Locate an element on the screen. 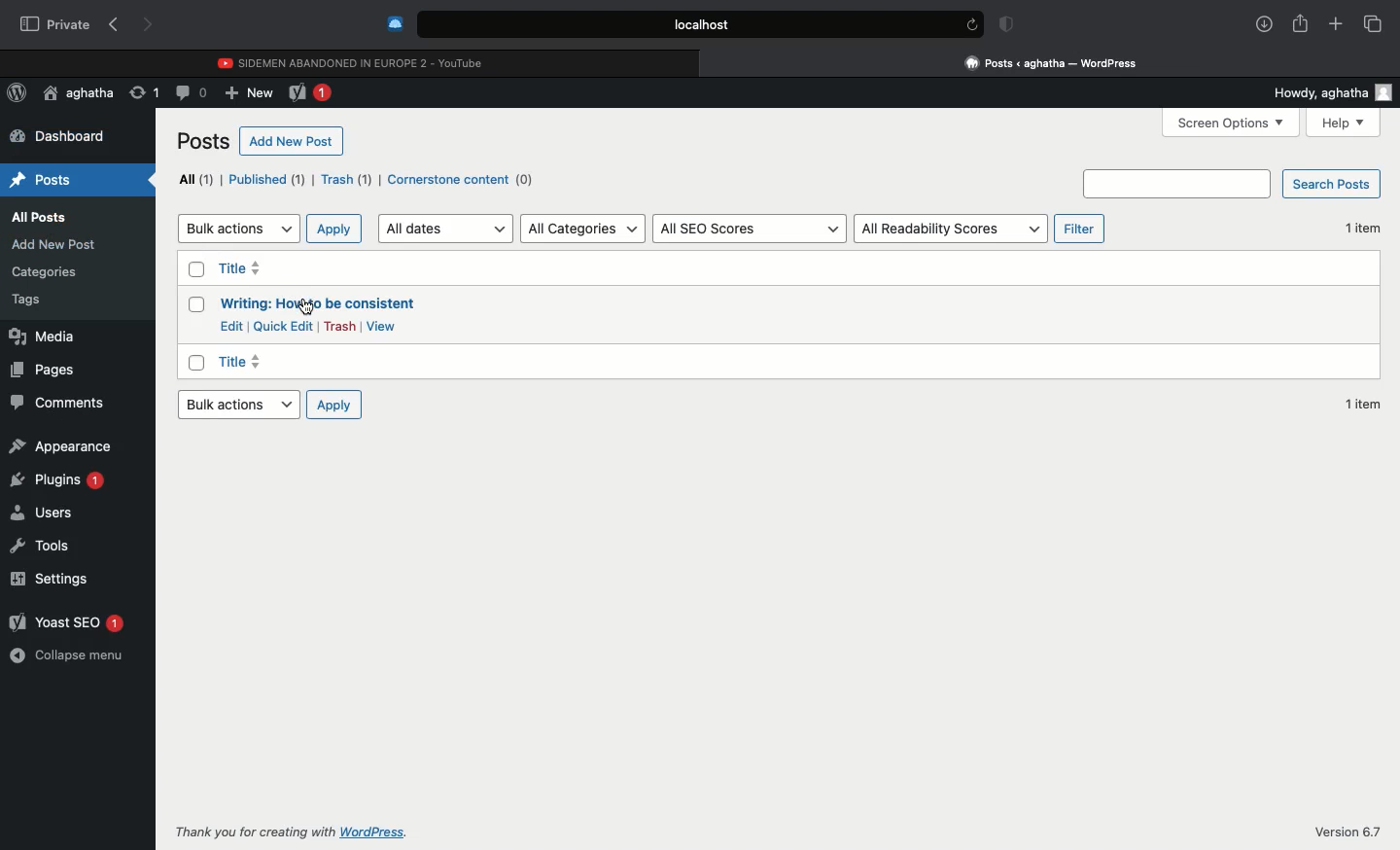  Edit is located at coordinates (230, 325).